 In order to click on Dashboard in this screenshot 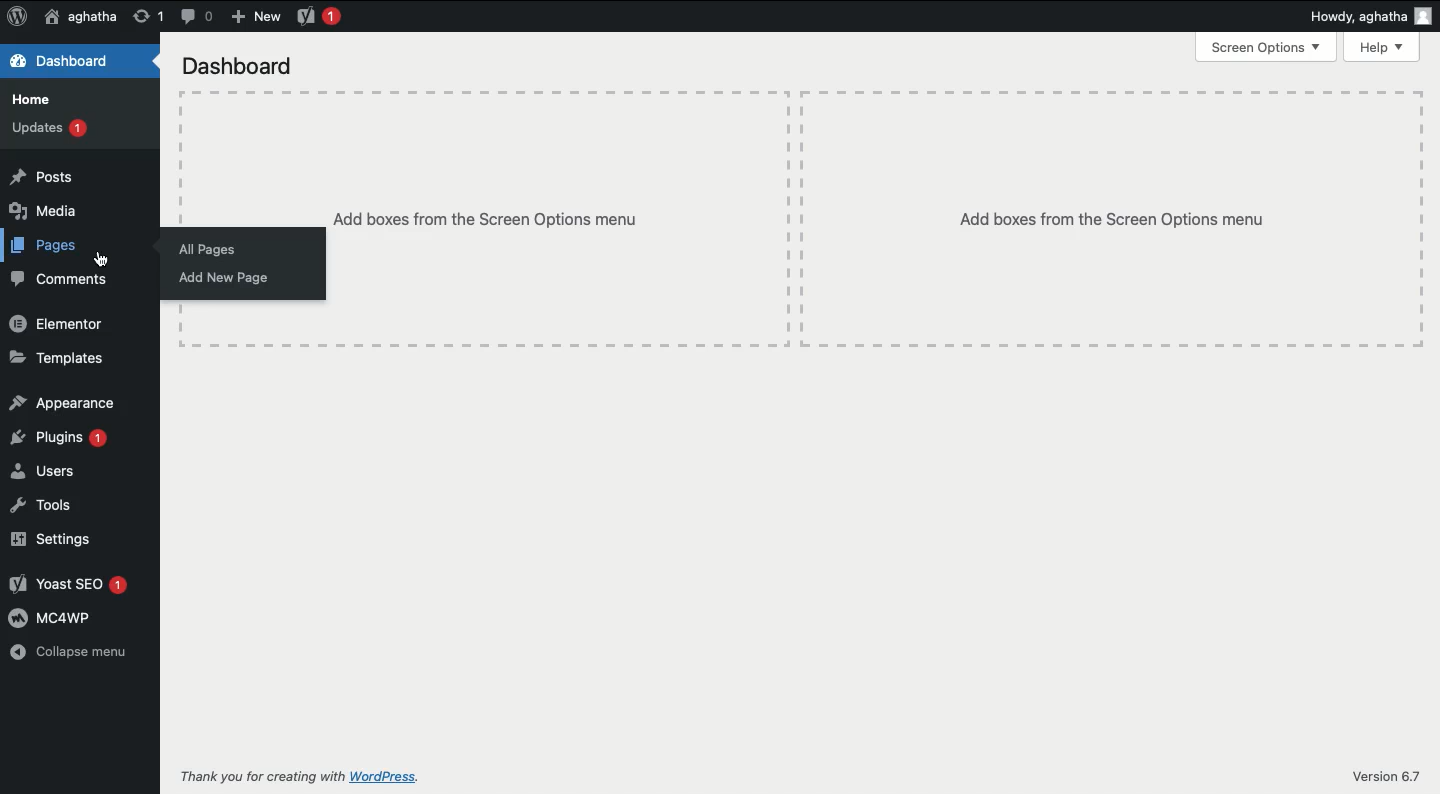, I will do `click(62, 61)`.